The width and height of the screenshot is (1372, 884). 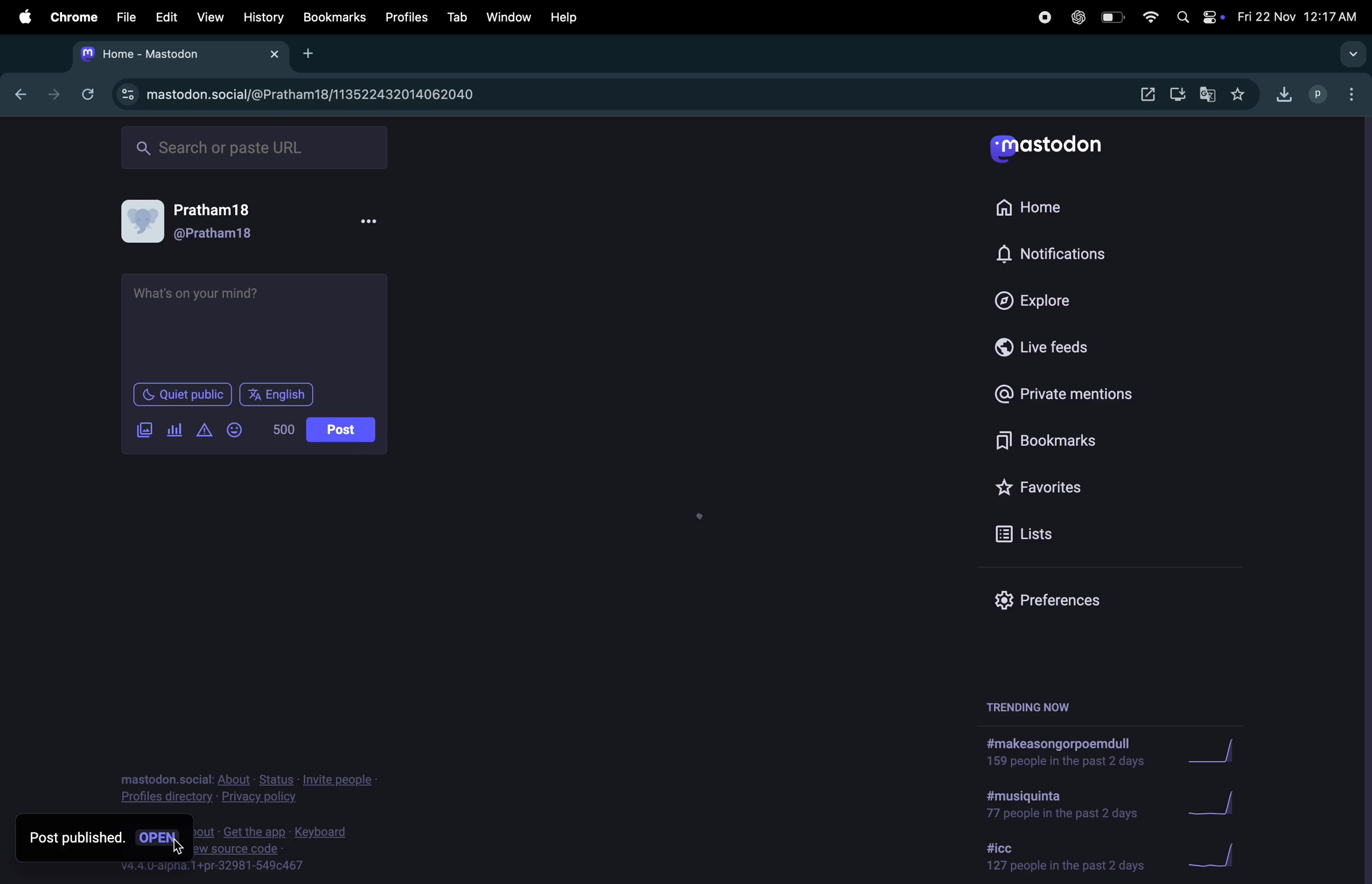 What do you see at coordinates (1041, 18) in the screenshot?
I see `record` at bounding box center [1041, 18].